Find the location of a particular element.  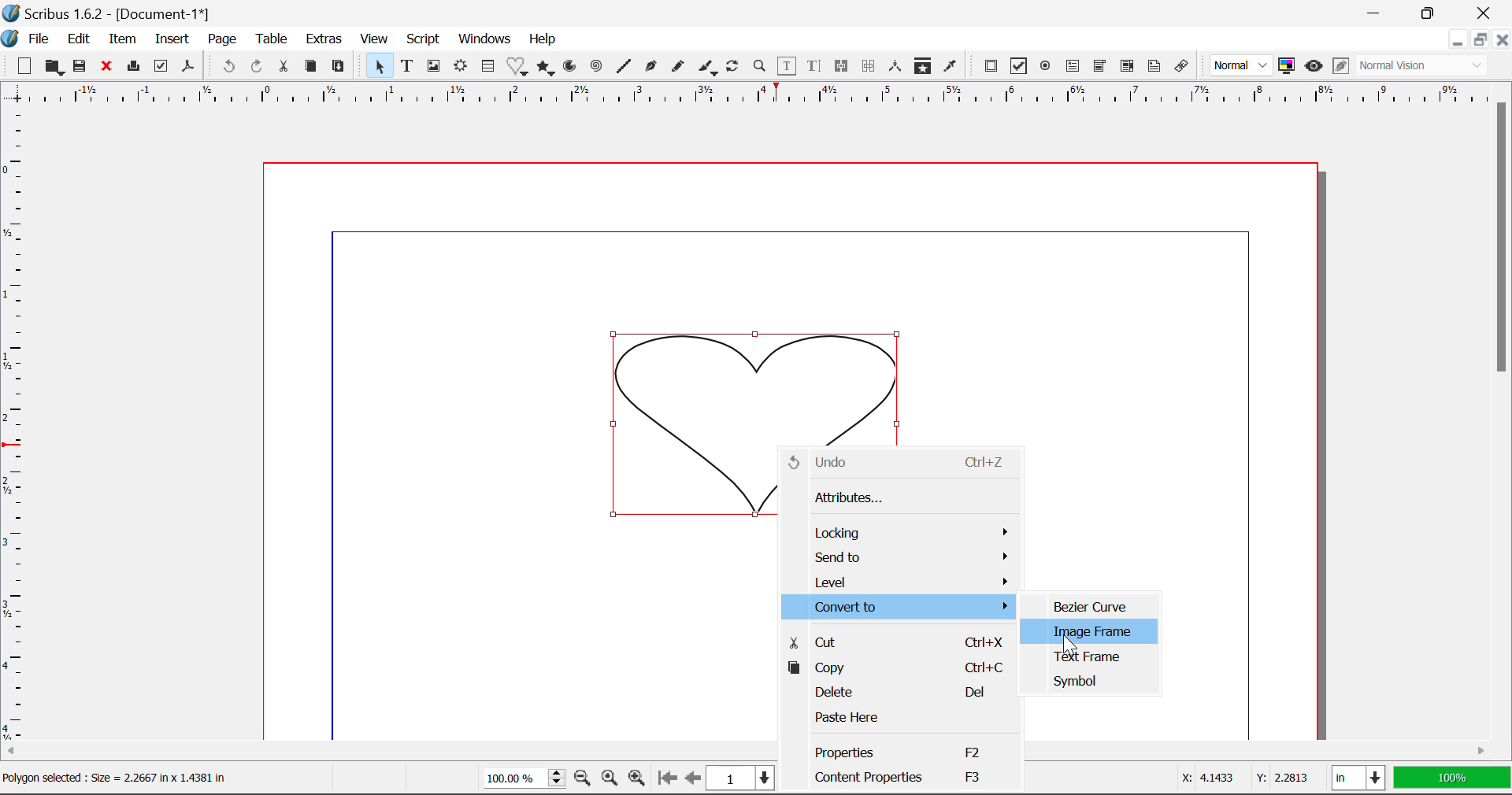

Link Annotation is located at coordinates (1182, 67).